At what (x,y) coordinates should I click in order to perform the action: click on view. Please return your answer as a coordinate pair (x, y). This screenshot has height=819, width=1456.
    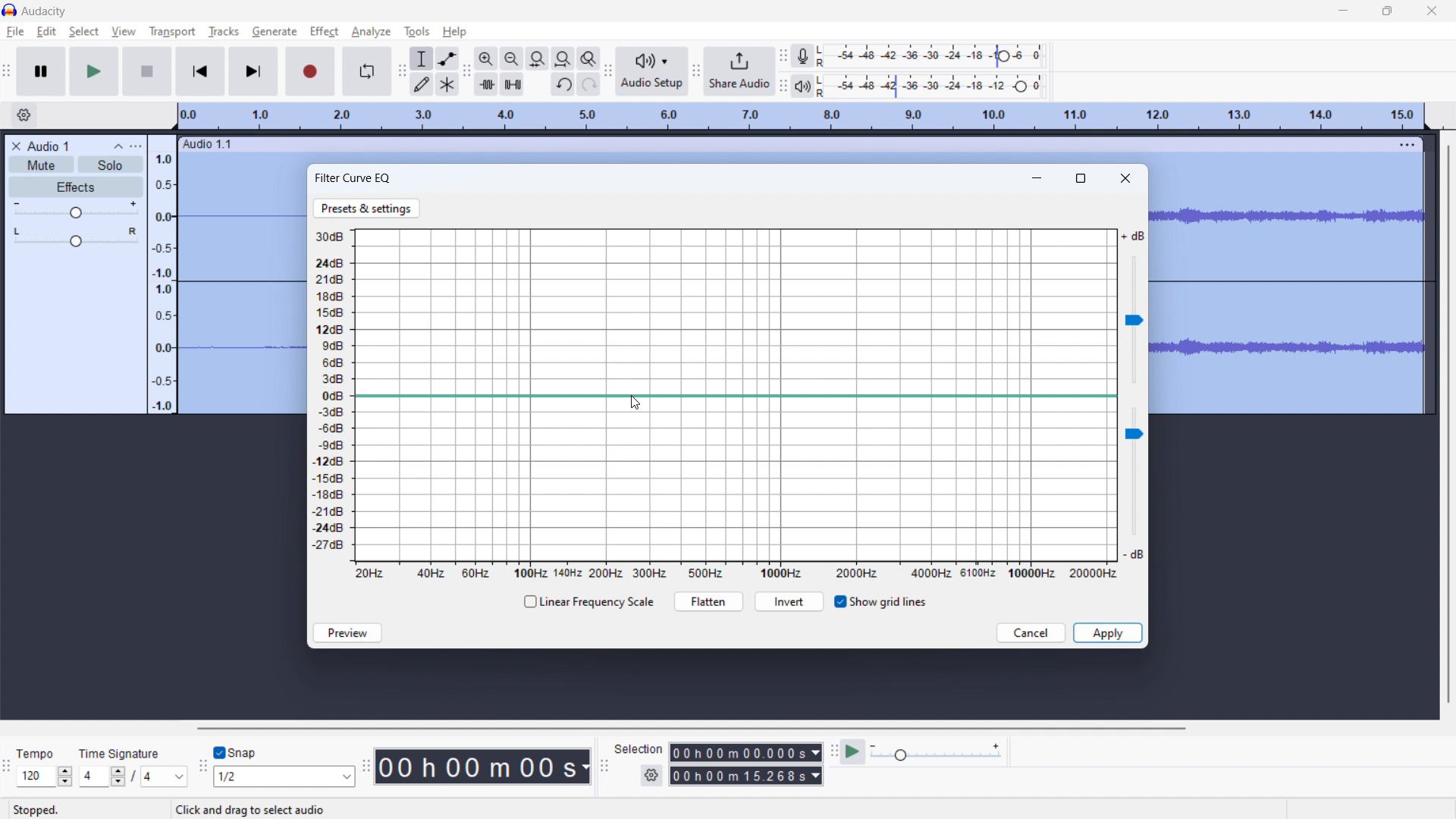
    Looking at the image, I should click on (124, 31).